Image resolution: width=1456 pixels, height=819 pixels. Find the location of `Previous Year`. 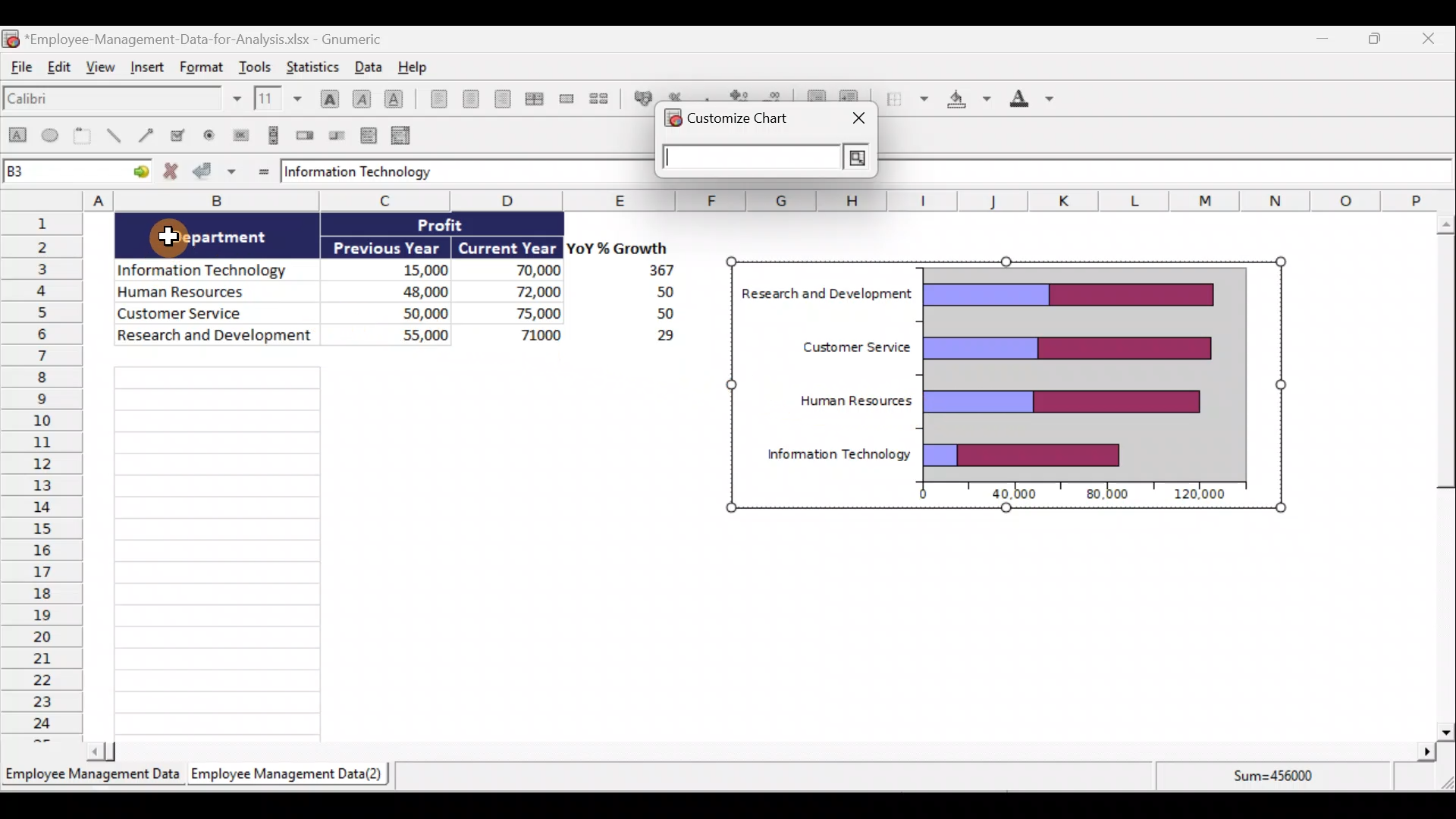

Previous Year is located at coordinates (388, 245).